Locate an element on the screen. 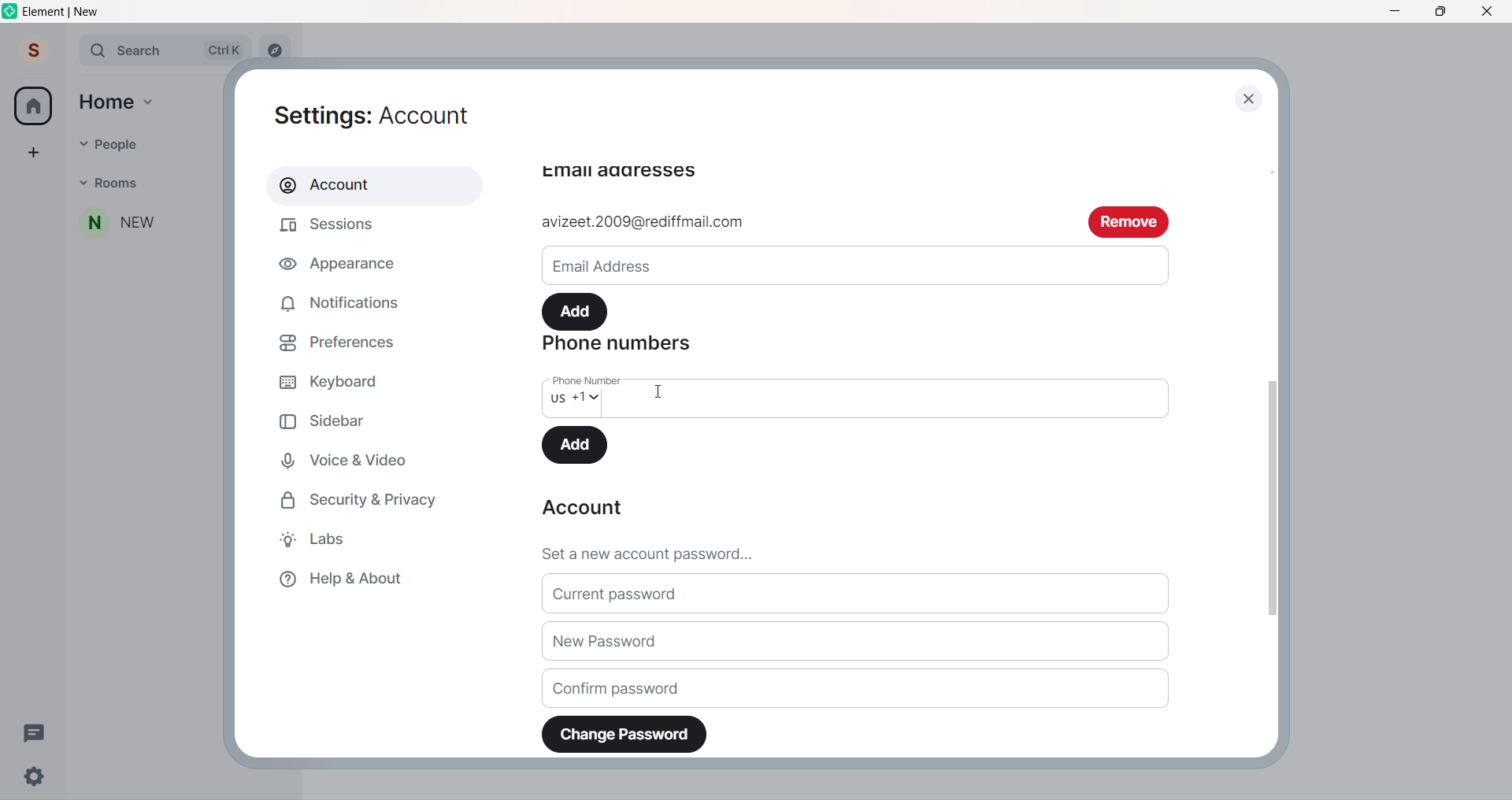 This screenshot has height=800, width=1512. close is located at coordinates (1251, 101).